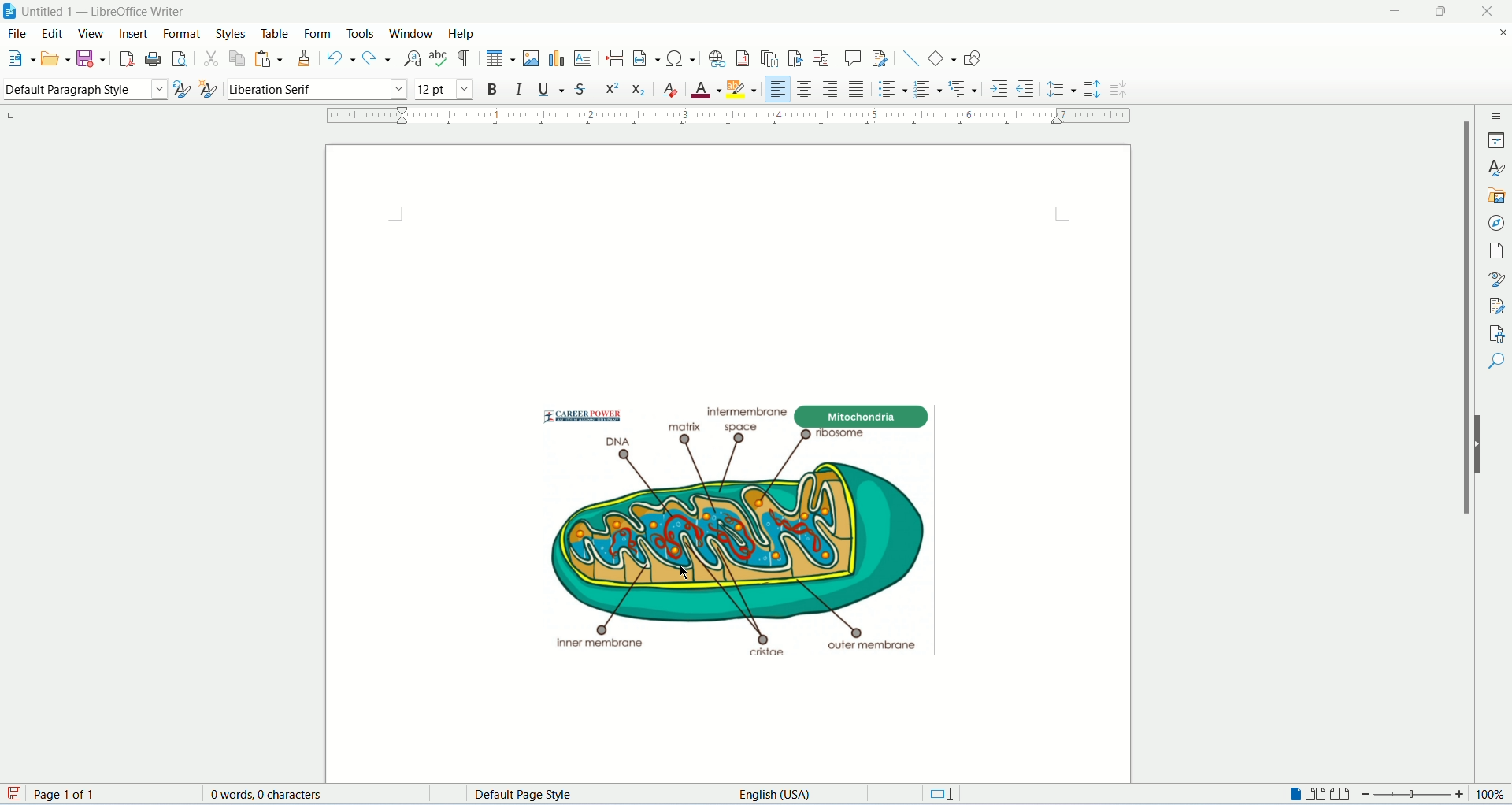 The width and height of the screenshot is (1512, 805). Describe the element at coordinates (532, 58) in the screenshot. I see `insert image` at that location.